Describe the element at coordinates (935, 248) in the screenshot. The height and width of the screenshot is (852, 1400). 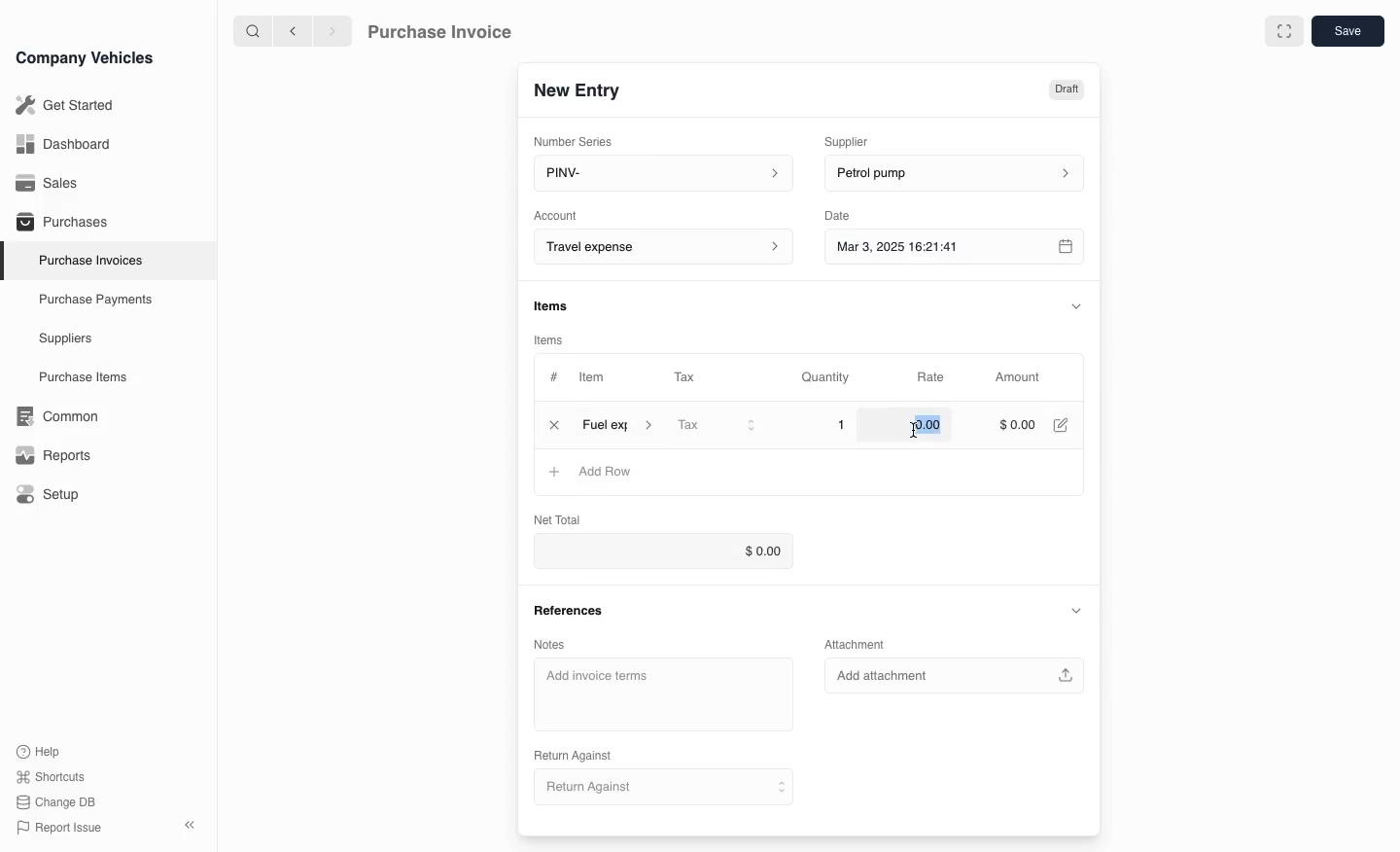
I see `Mar 3, 2025 16:21:41` at that location.